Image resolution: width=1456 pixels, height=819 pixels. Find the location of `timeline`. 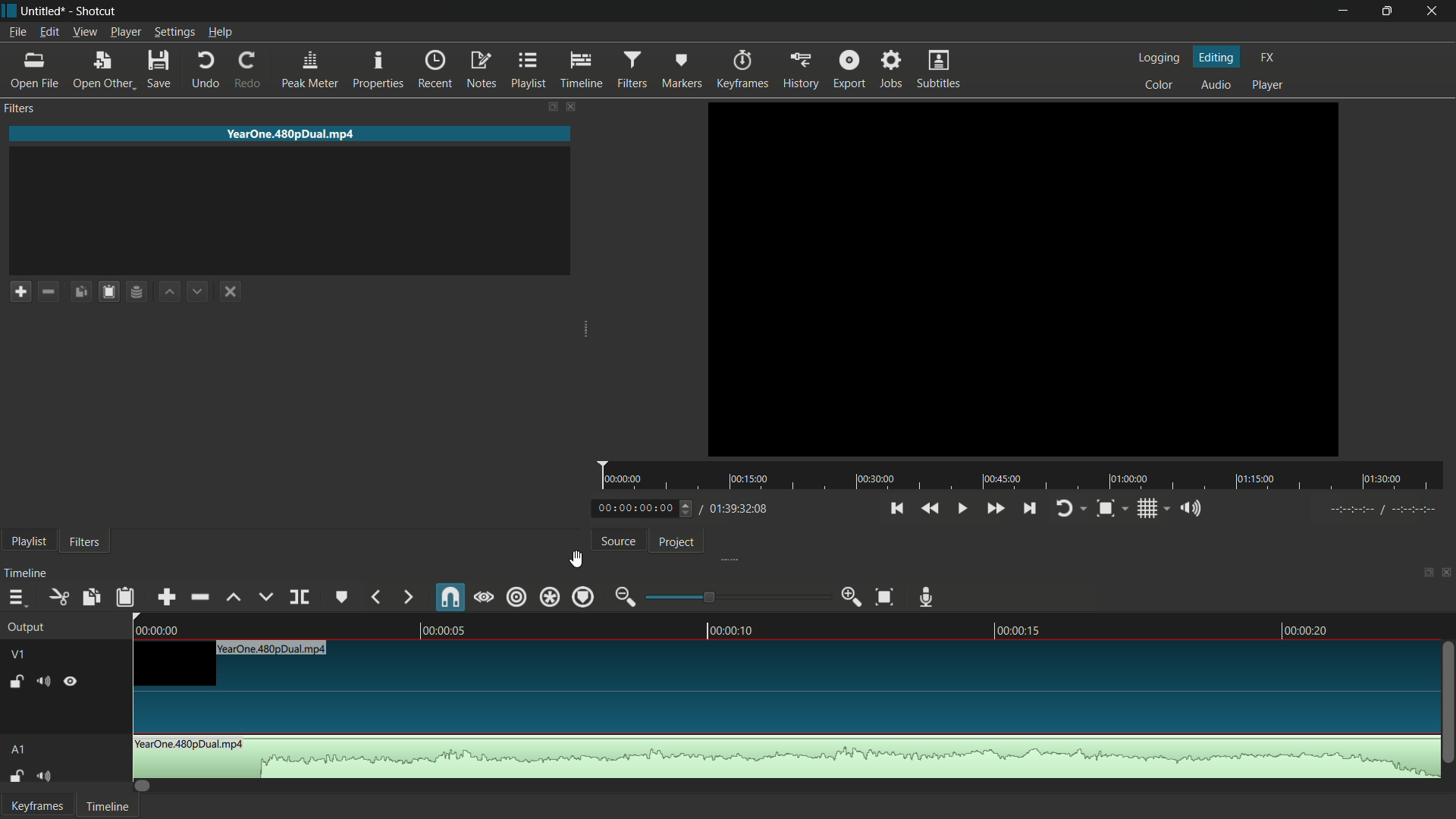

timeline is located at coordinates (27, 572).